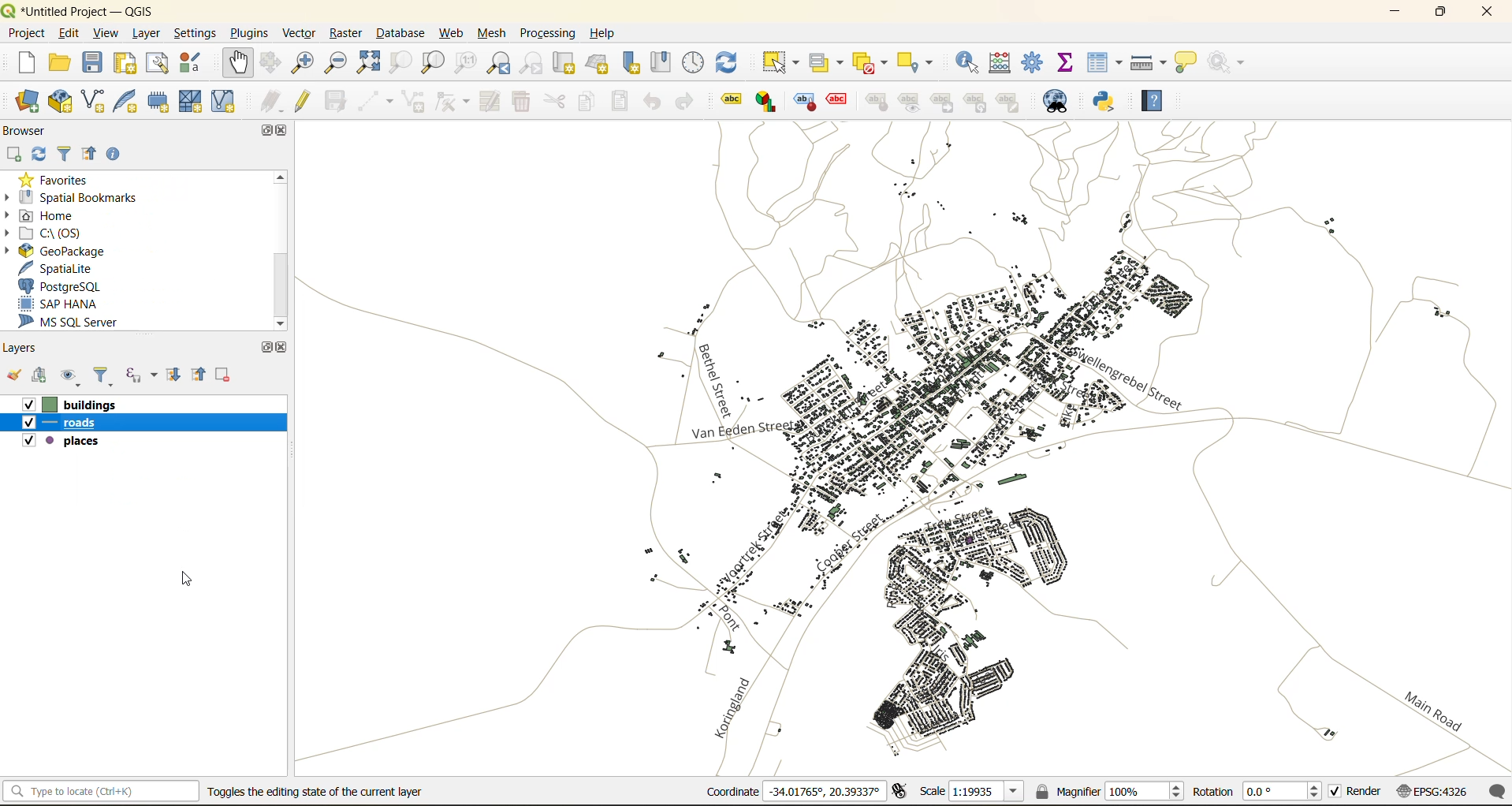 The height and width of the screenshot is (806, 1512). Describe the element at coordinates (769, 102) in the screenshot. I see `layer diagram options` at that location.